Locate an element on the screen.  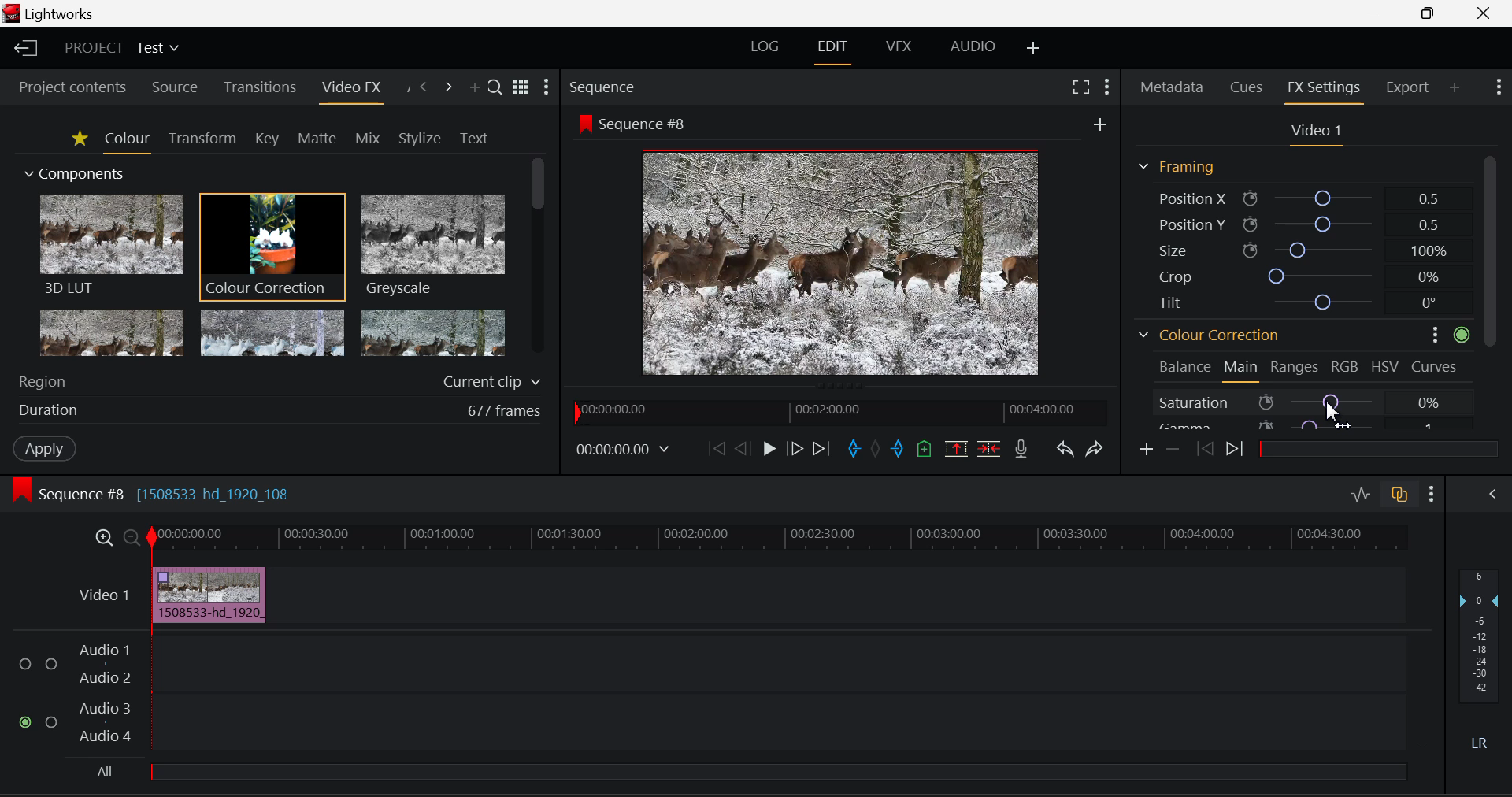
Window Title is located at coordinates (54, 13).